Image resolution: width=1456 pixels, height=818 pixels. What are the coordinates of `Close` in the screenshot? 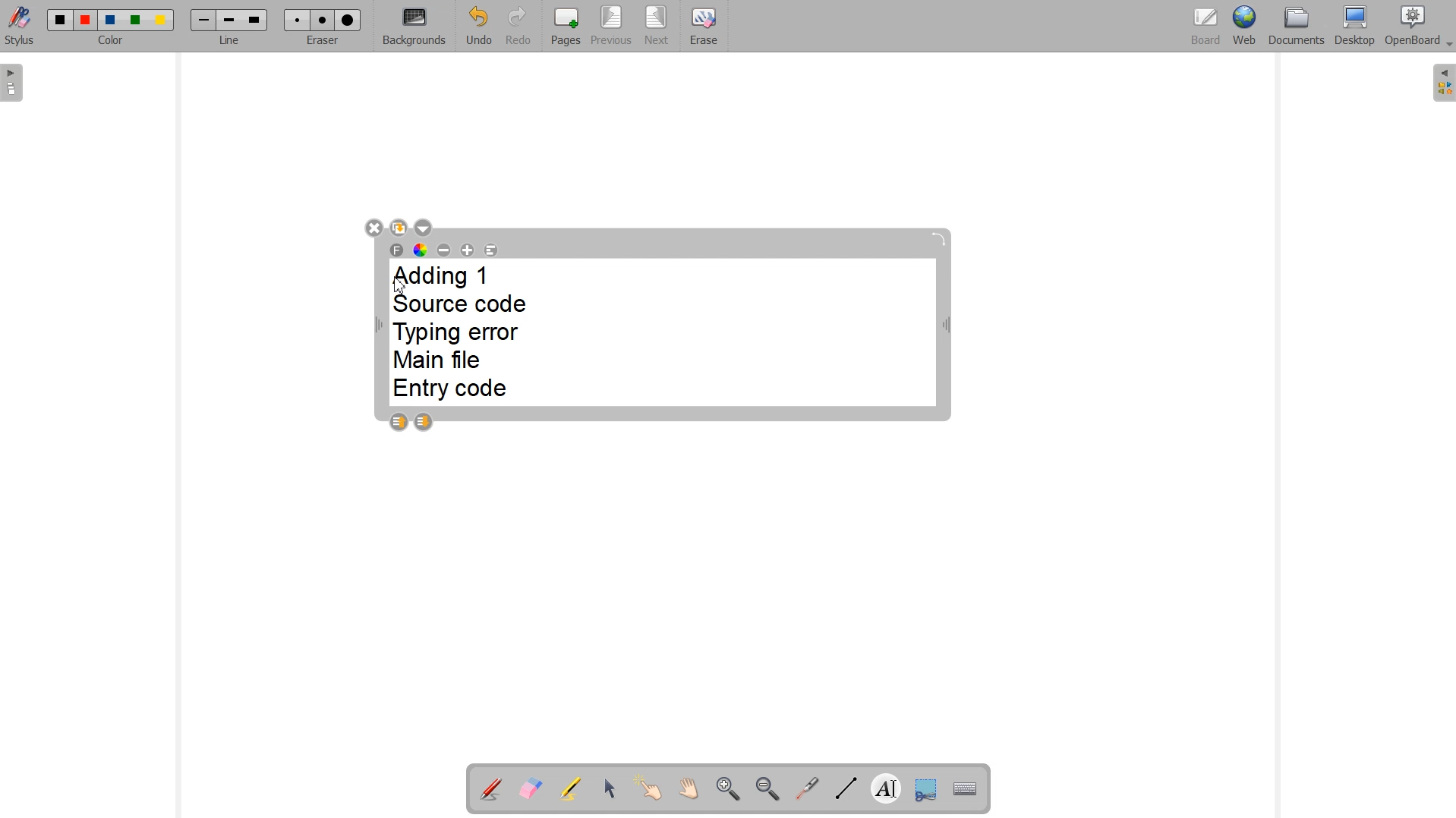 It's located at (373, 227).